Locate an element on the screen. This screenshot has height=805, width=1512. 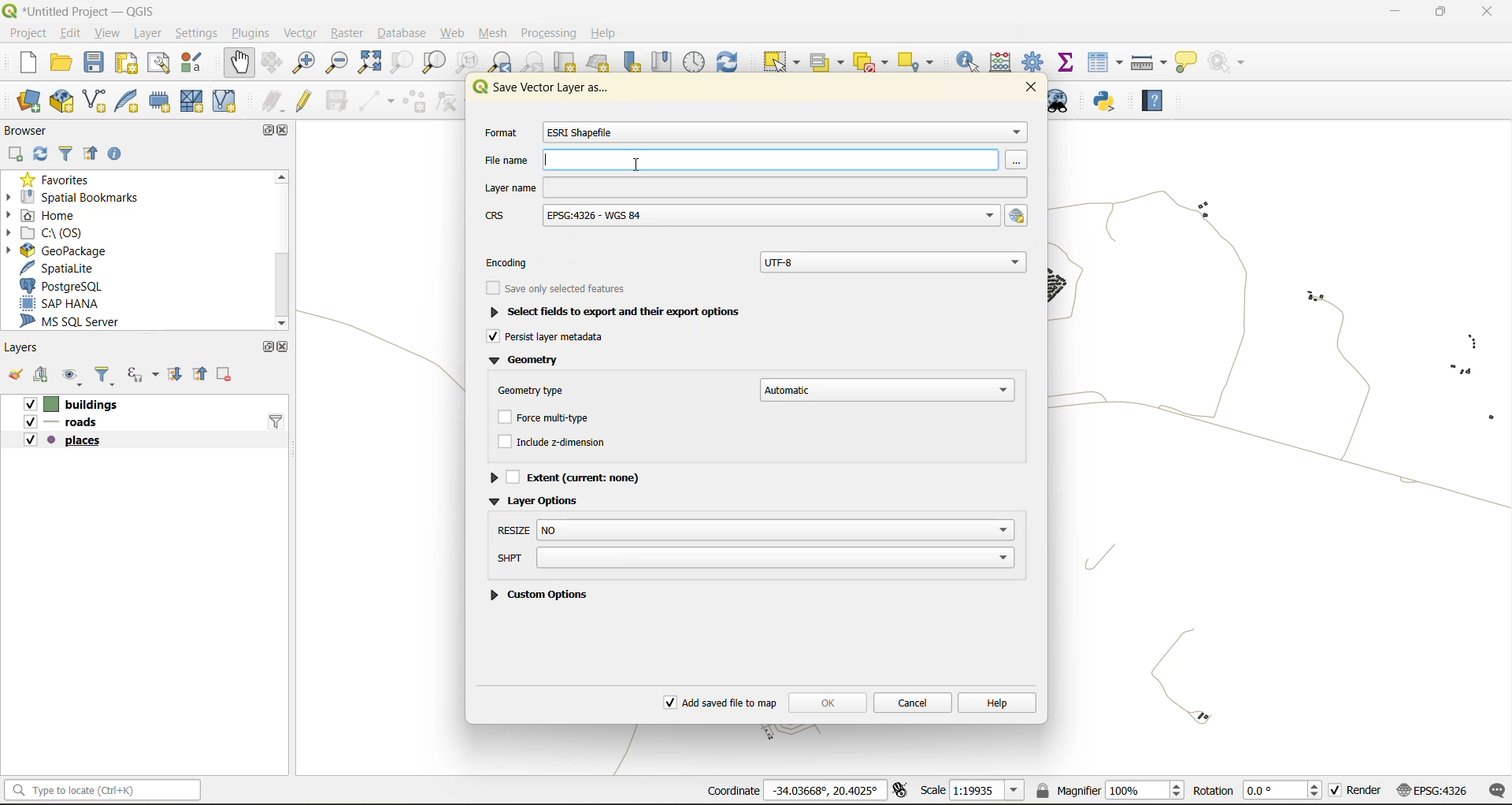
statusbar is located at coordinates (107, 789).